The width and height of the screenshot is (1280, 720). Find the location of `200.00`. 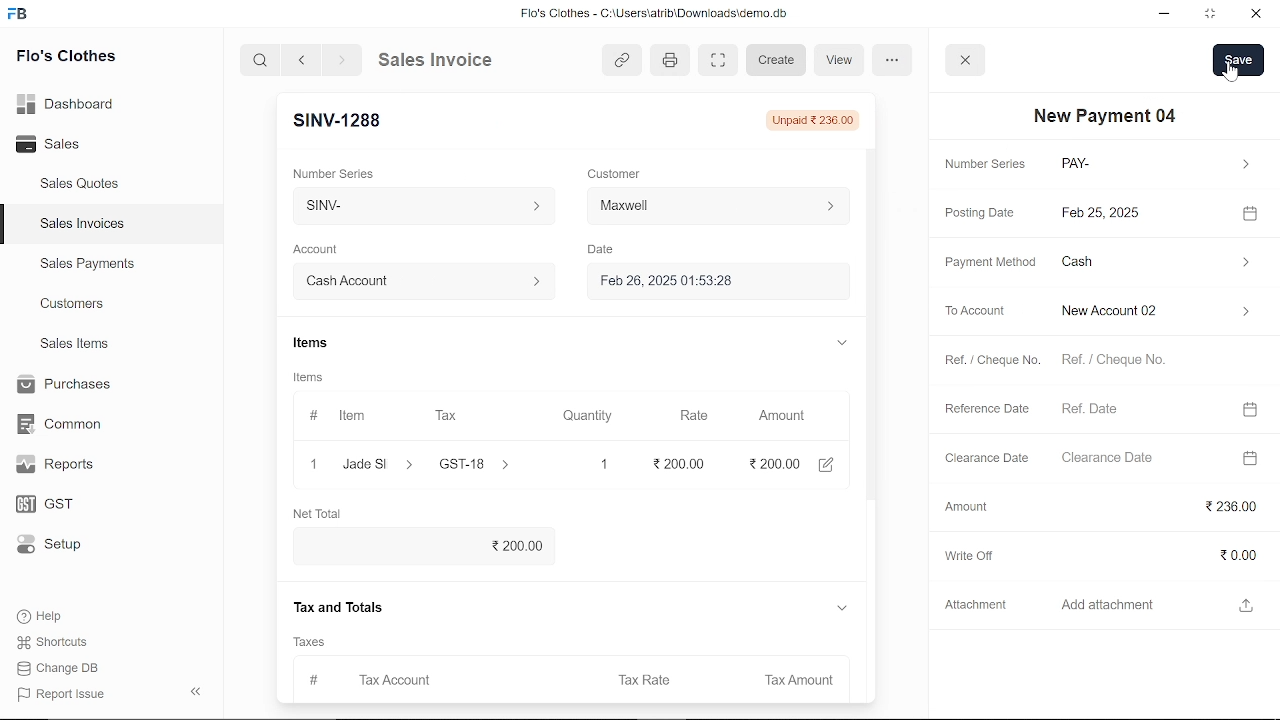

200.00 is located at coordinates (687, 461).